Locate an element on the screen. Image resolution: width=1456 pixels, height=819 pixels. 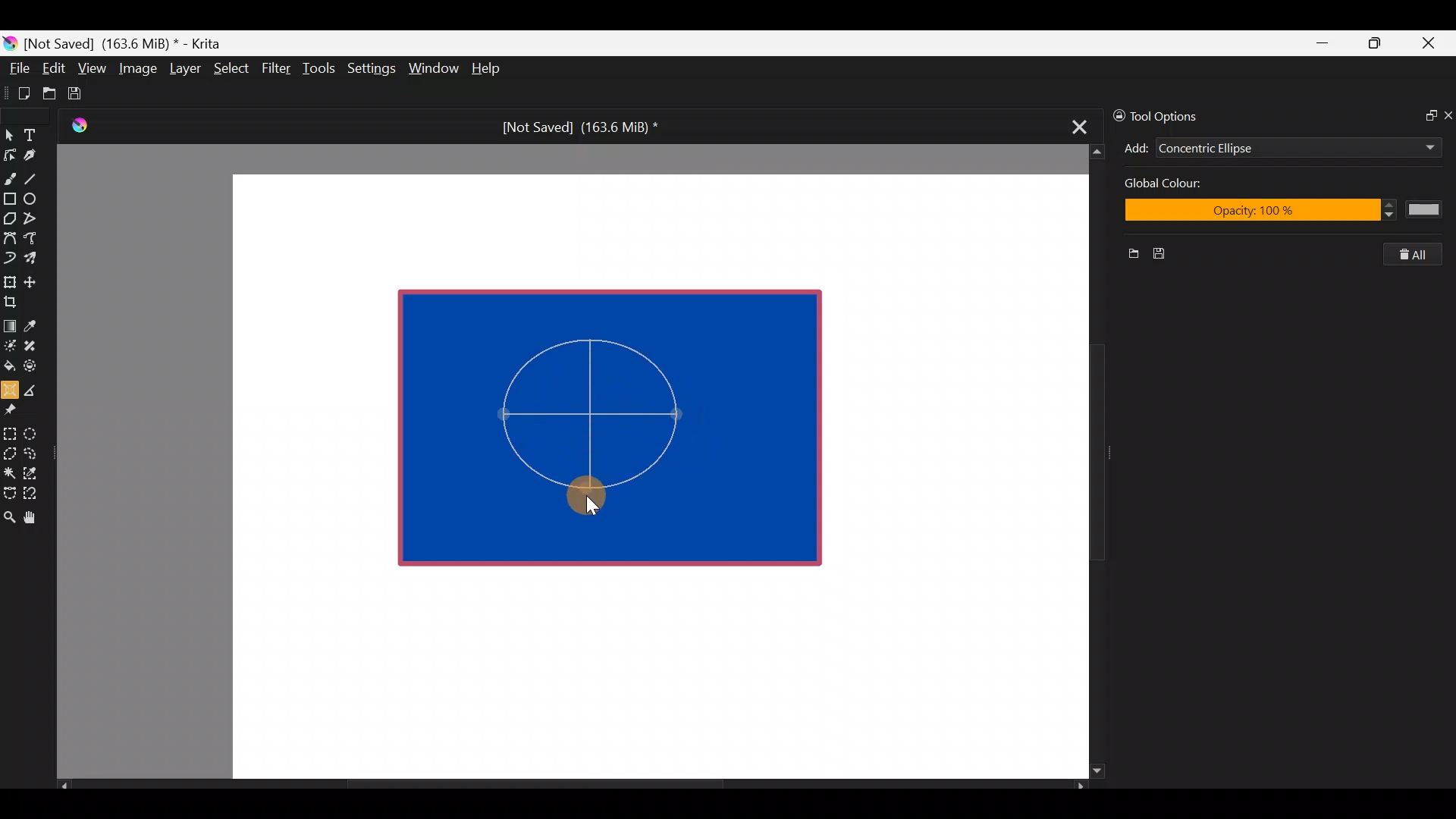
Enclose & fill tool is located at coordinates (33, 363).